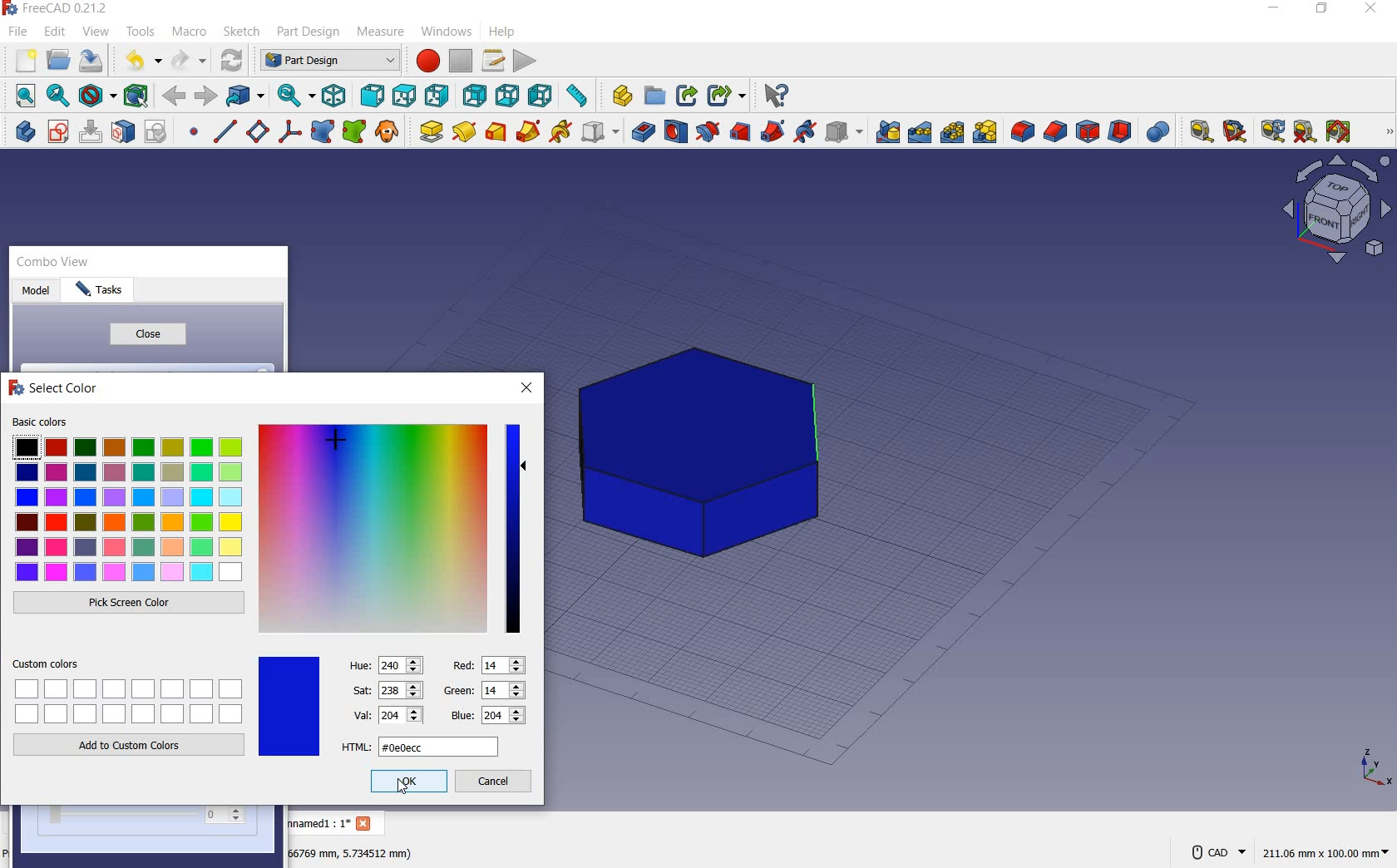 Image resolution: width=1397 pixels, height=868 pixels. I want to click on Green: 14, so click(483, 689).